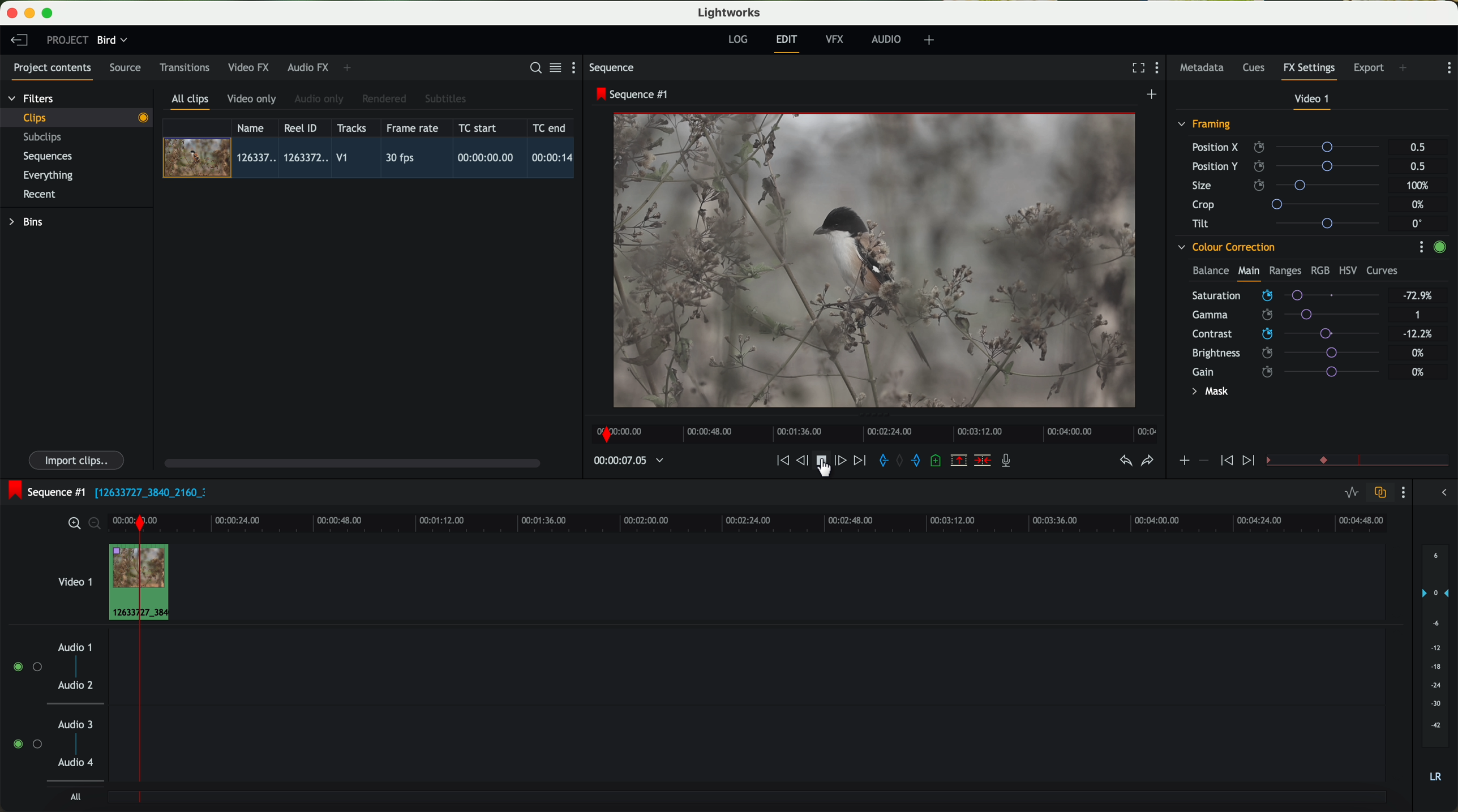 The image size is (1458, 812). What do you see at coordinates (983, 461) in the screenshot?
I see `delete/cut` at bounding box center [983, 461].